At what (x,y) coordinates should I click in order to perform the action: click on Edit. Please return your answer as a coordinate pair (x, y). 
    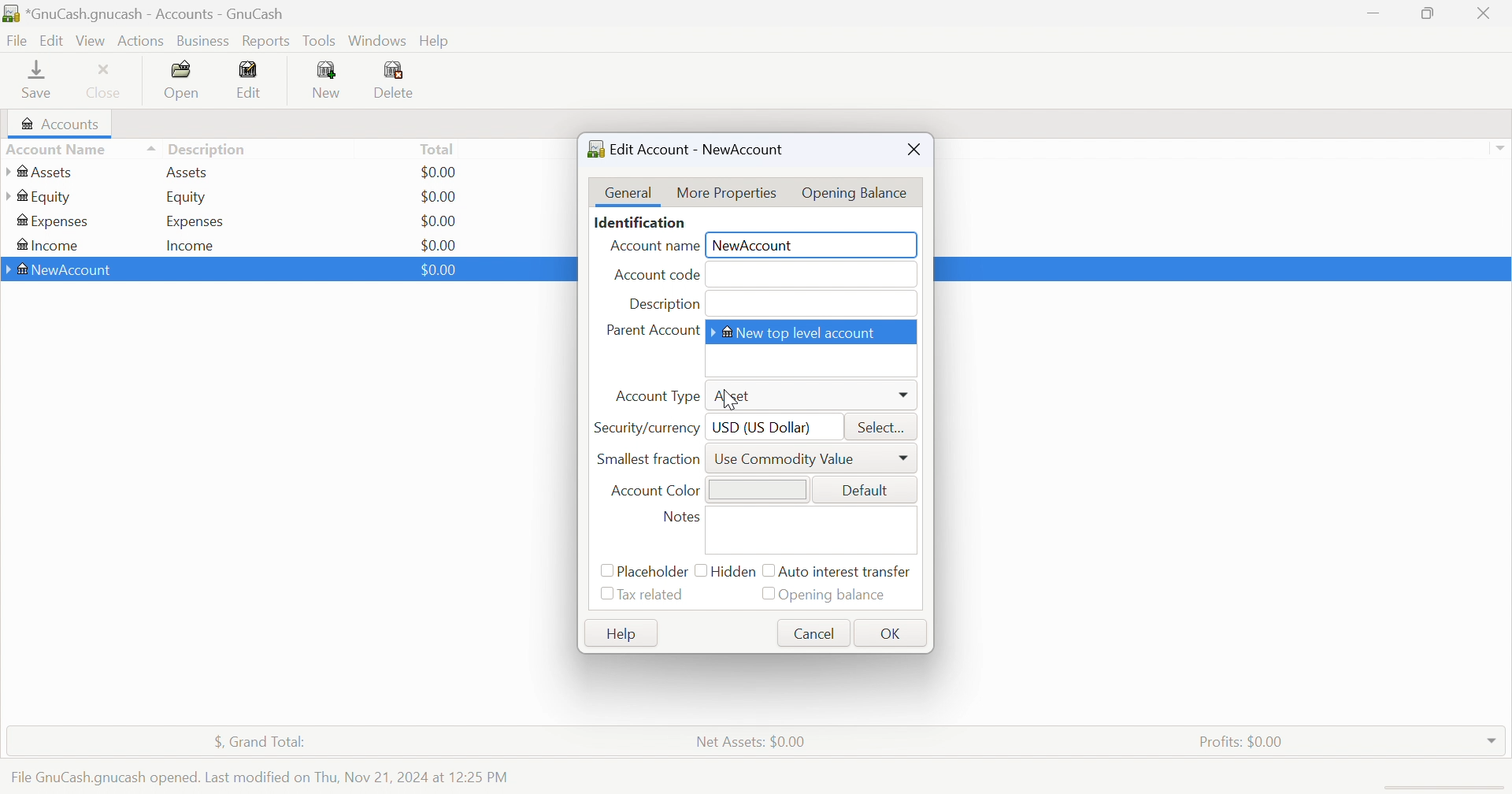
    Looking at the image, I should click on (249, 80).